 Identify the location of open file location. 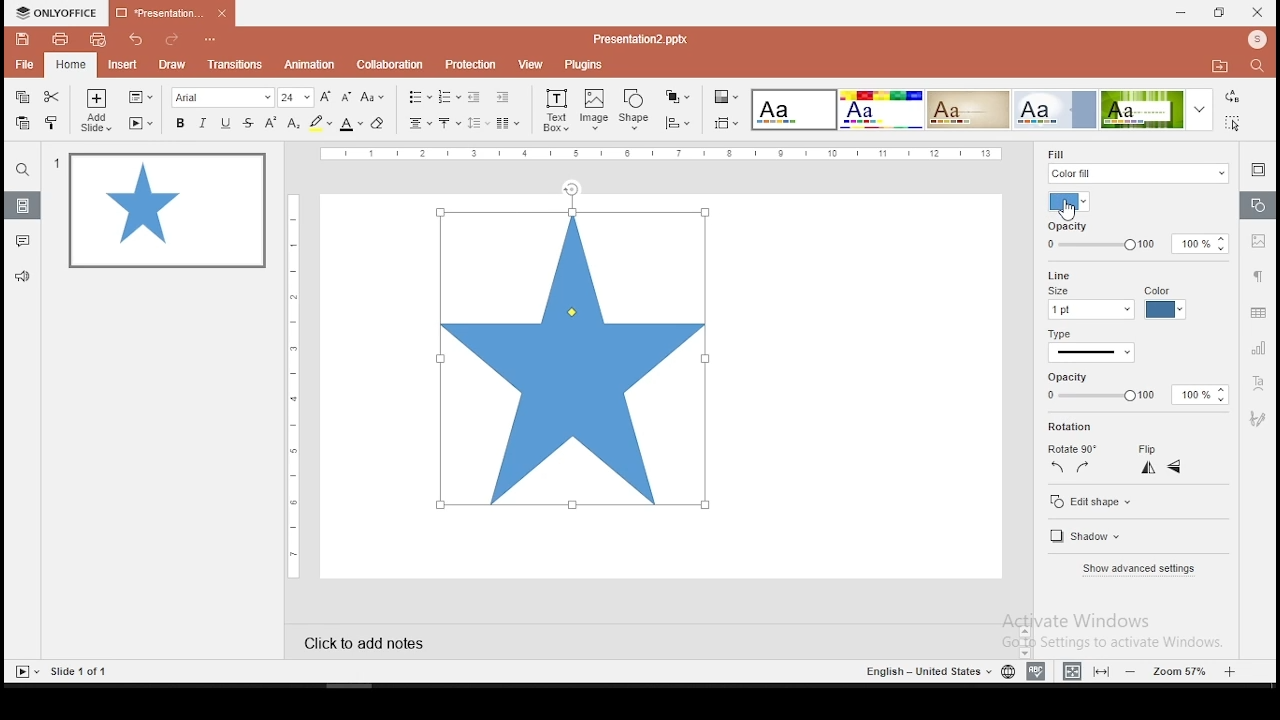
(1219, 67).